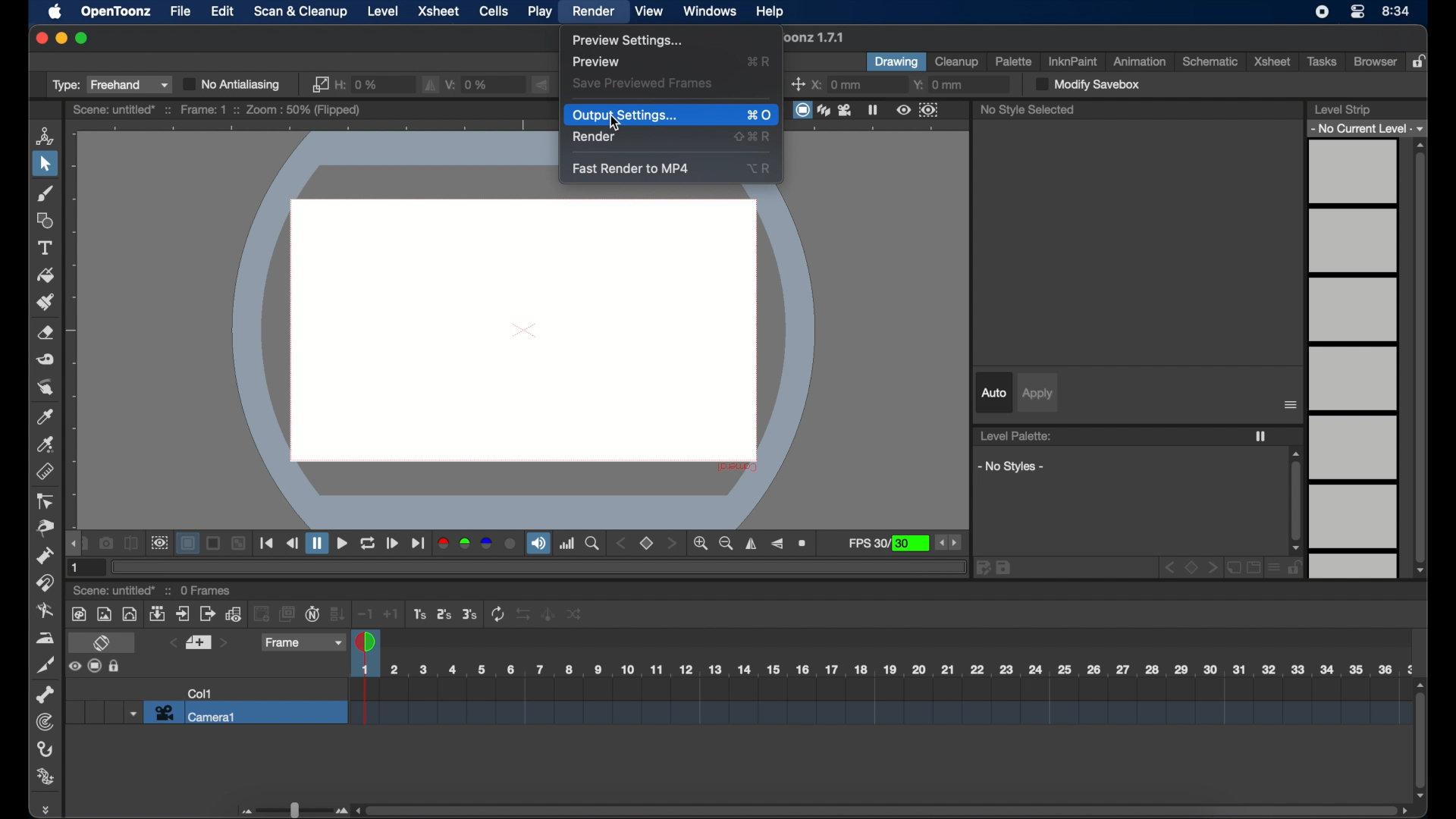 The image size is (1456, 819). I want to click on plastic tool, so click(46, 777).